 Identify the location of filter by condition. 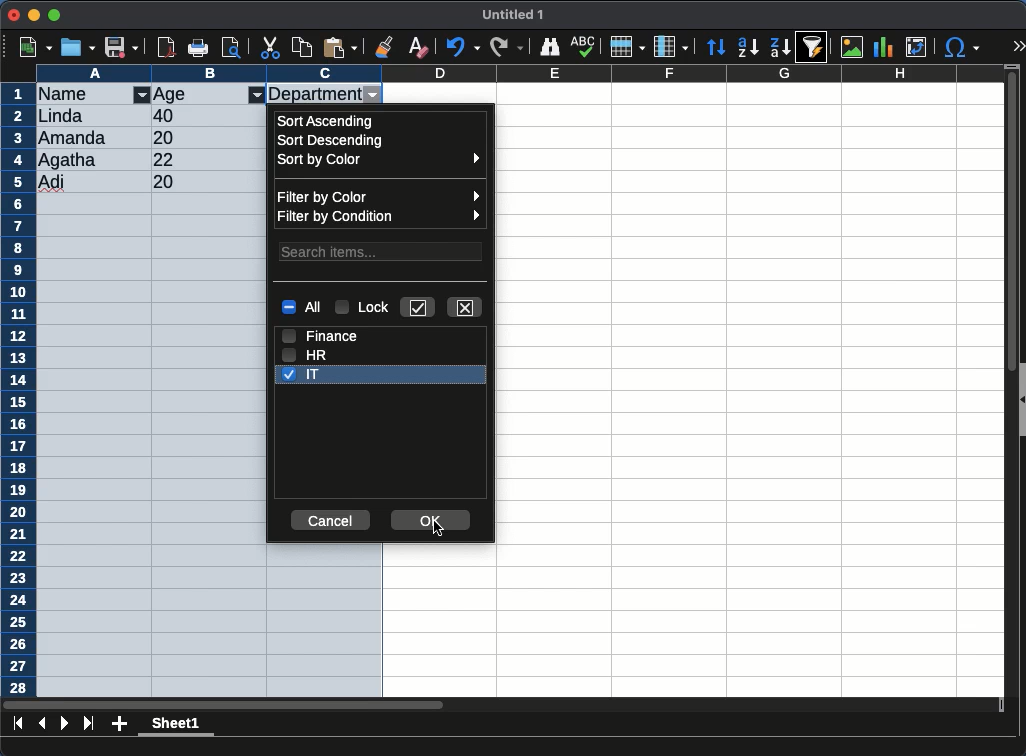
(381, 217).